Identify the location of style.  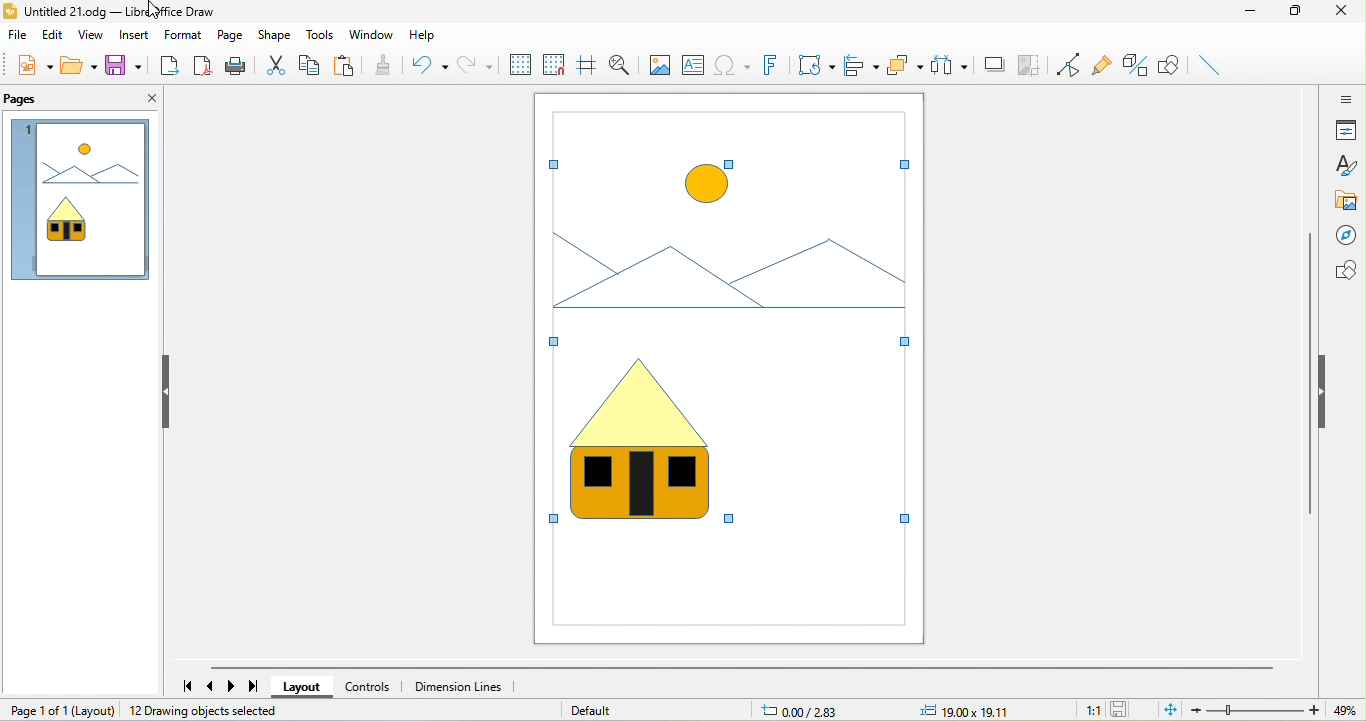
(1347, 165).